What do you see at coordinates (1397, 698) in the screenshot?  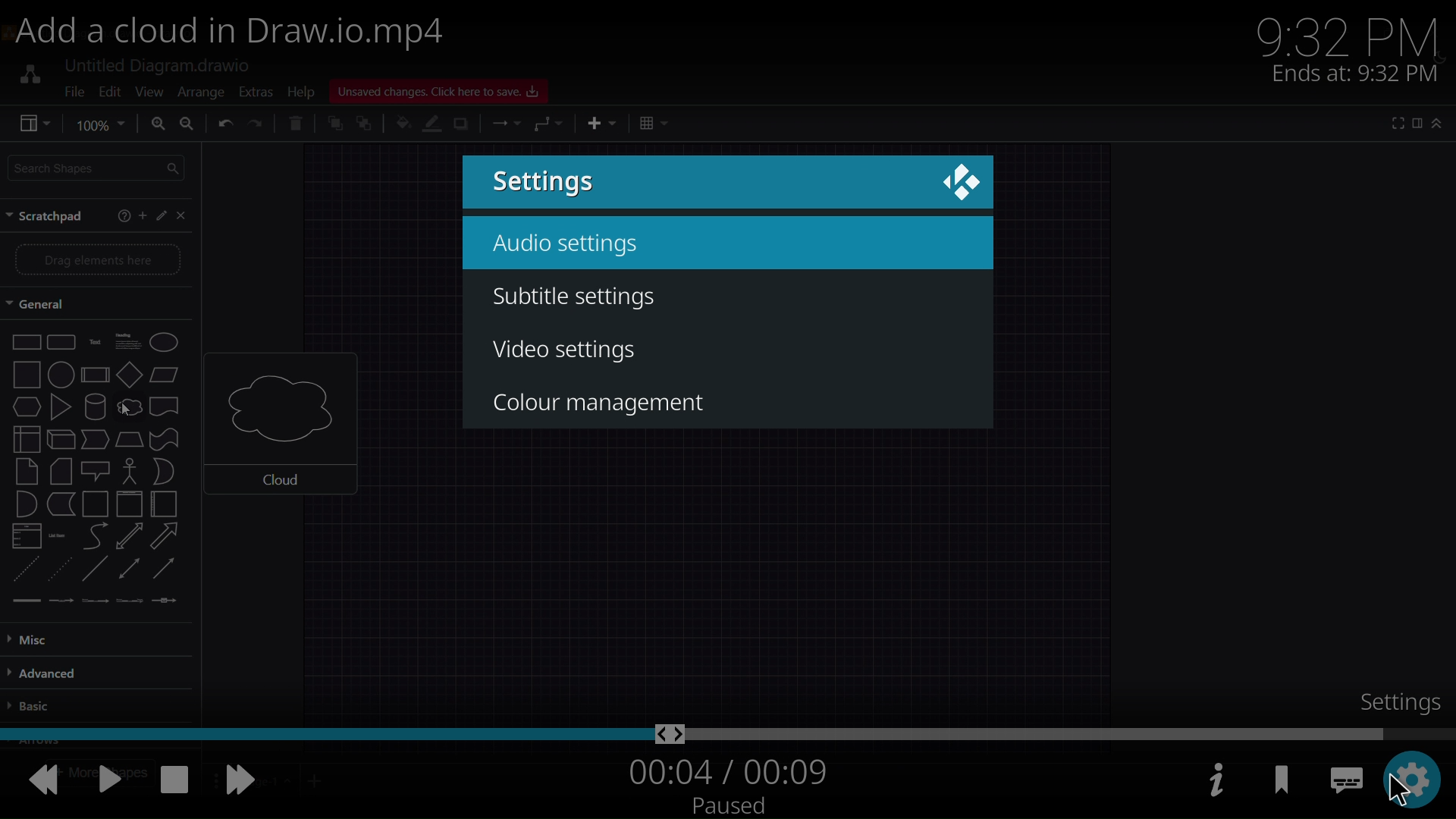 I see `setting` at bounding box center [1397, 698].